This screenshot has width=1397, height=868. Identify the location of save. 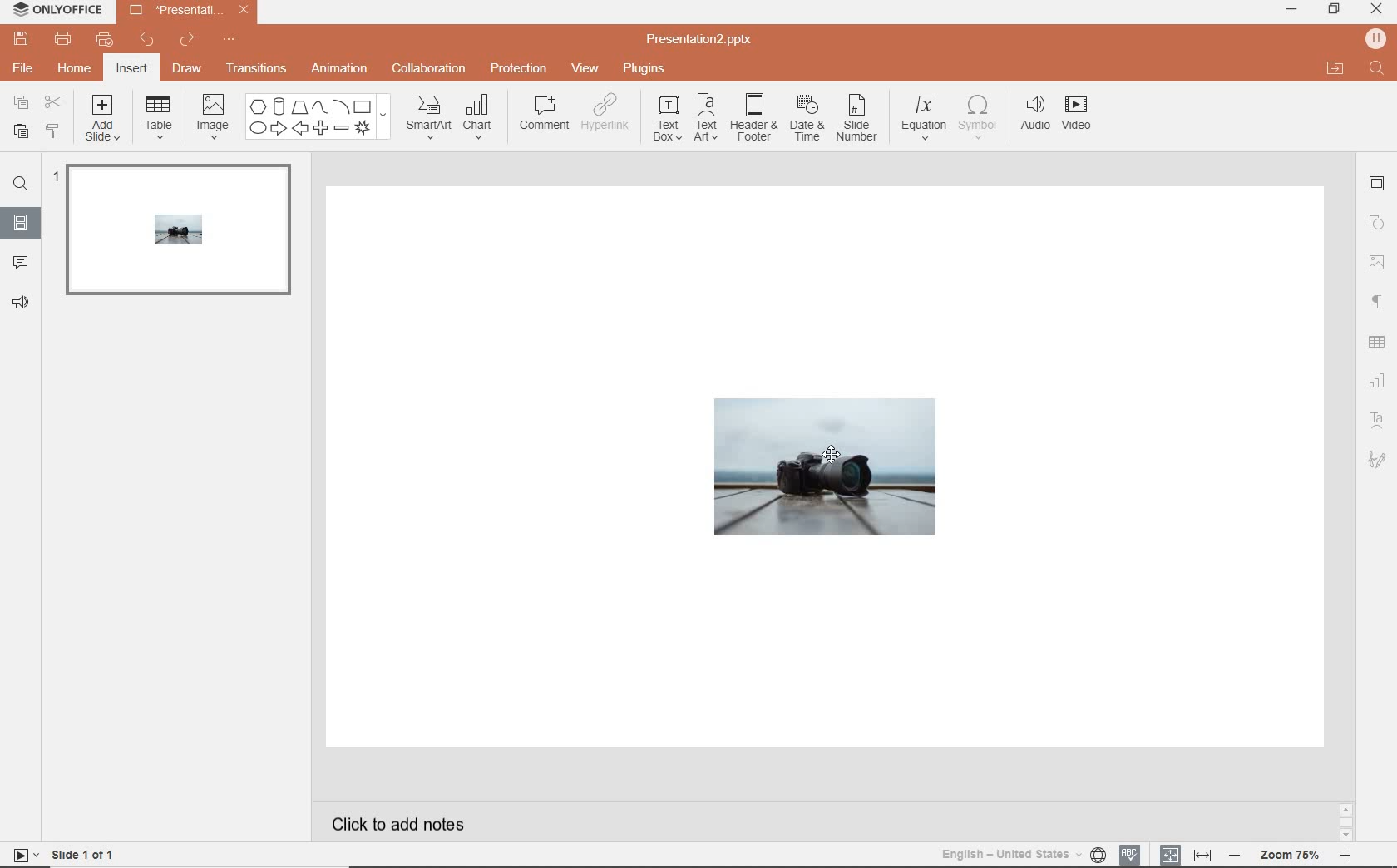
(22, 39).